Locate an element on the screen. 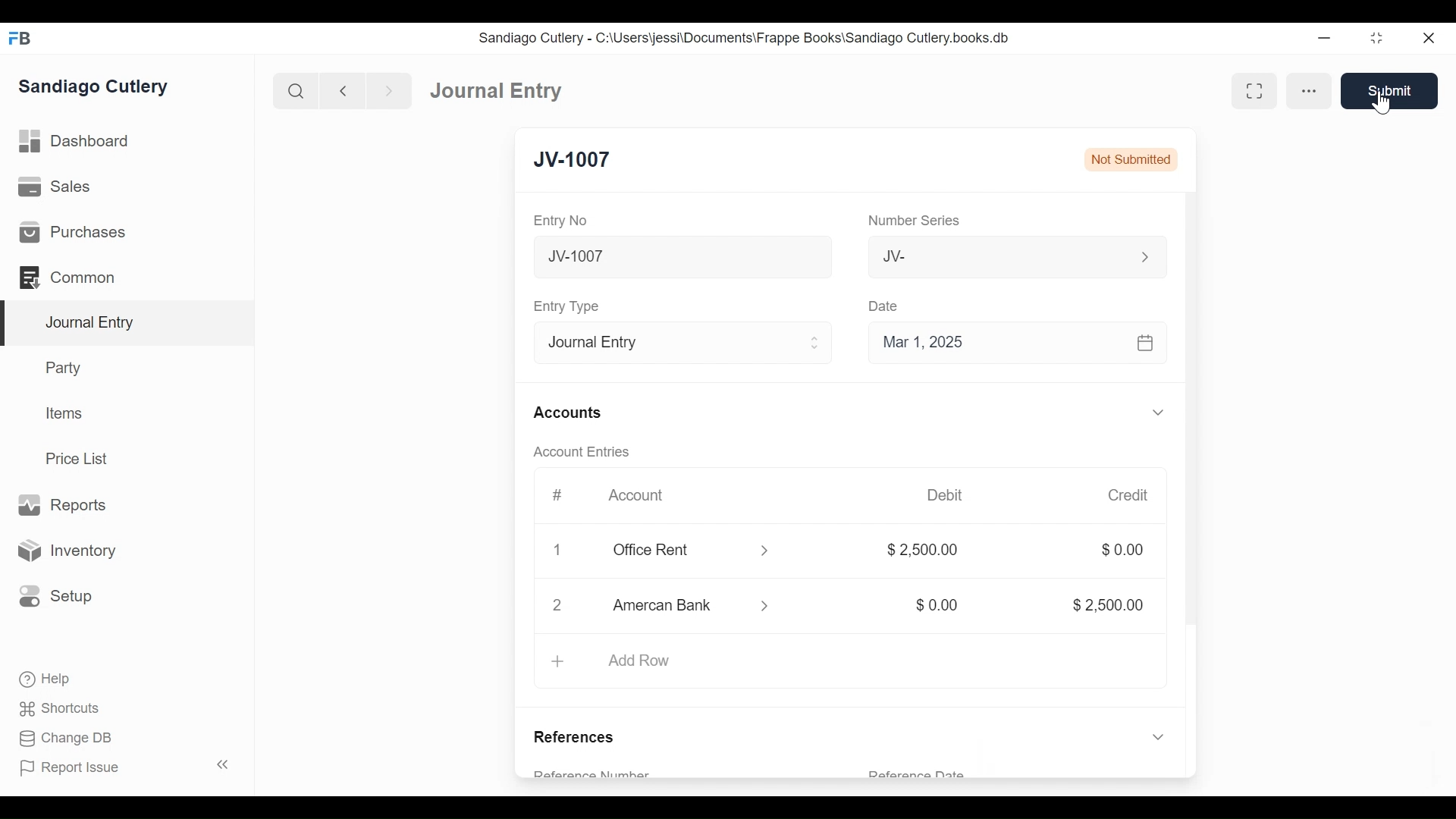  Not submitted is located at coordinates (1131, 158).